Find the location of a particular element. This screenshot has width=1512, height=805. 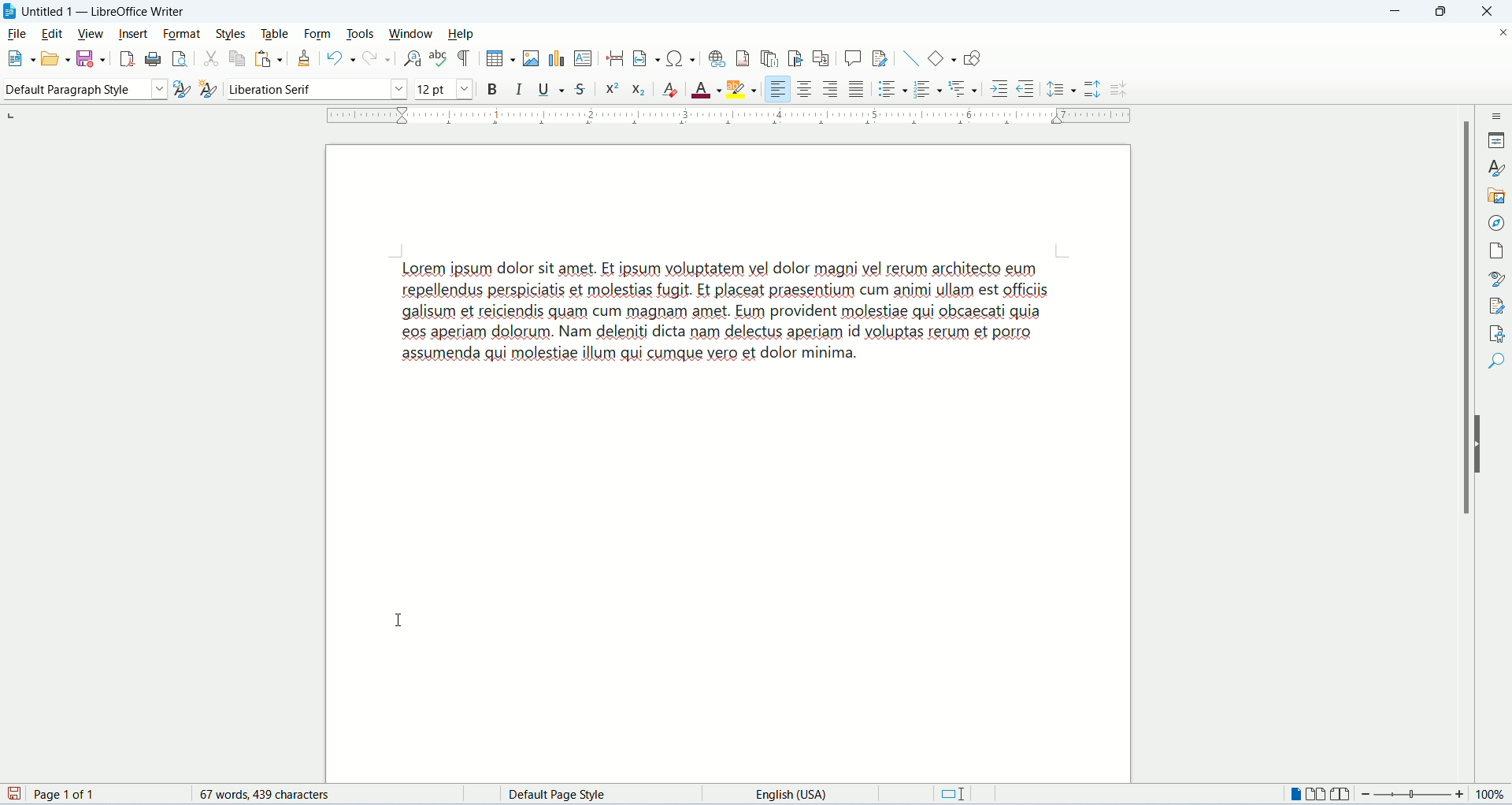

maximize is located at coordinates (1442, 14).